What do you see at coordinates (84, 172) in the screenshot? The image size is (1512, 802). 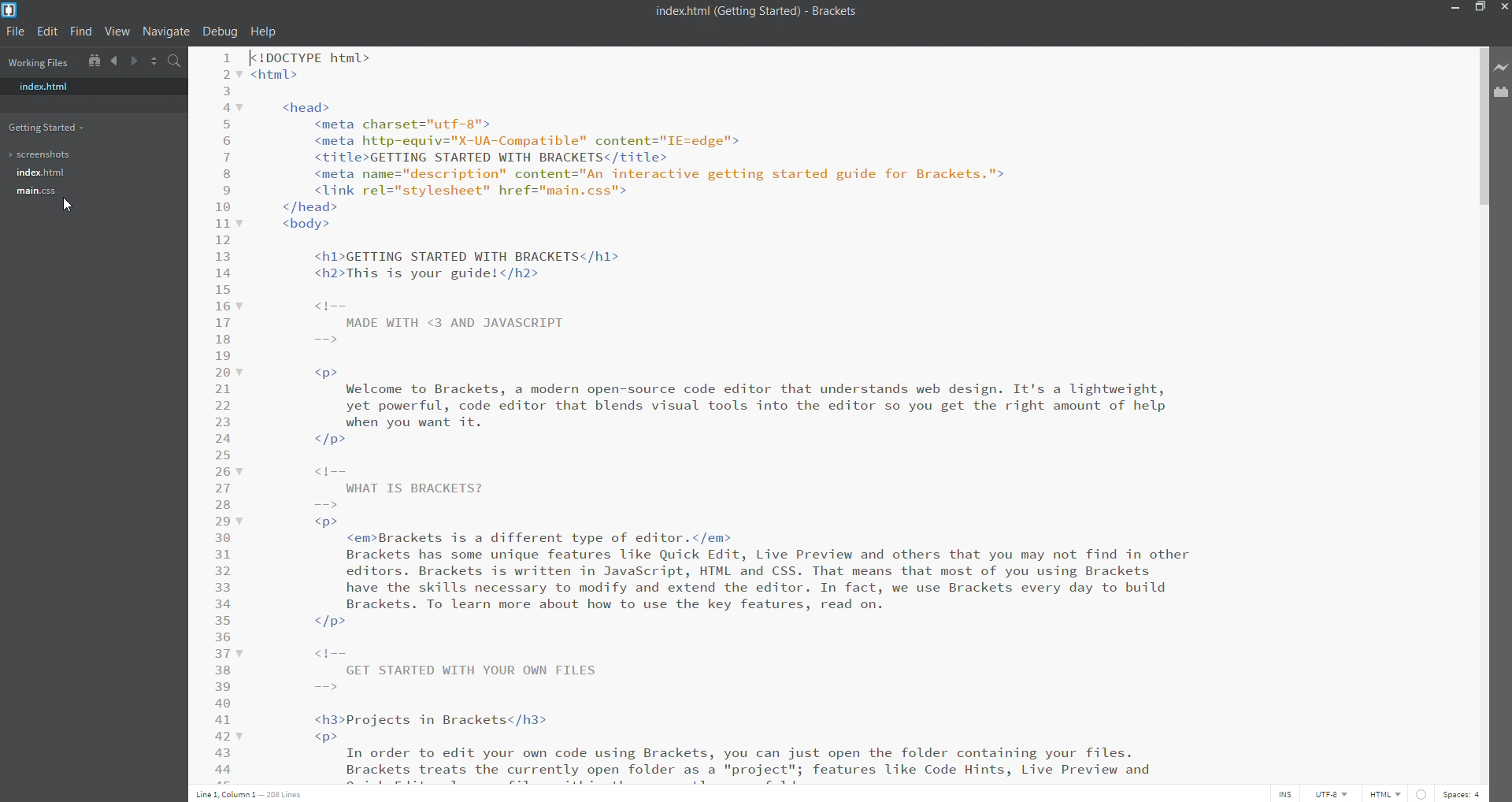 I see `index.html` at bounding box center [84, 172].